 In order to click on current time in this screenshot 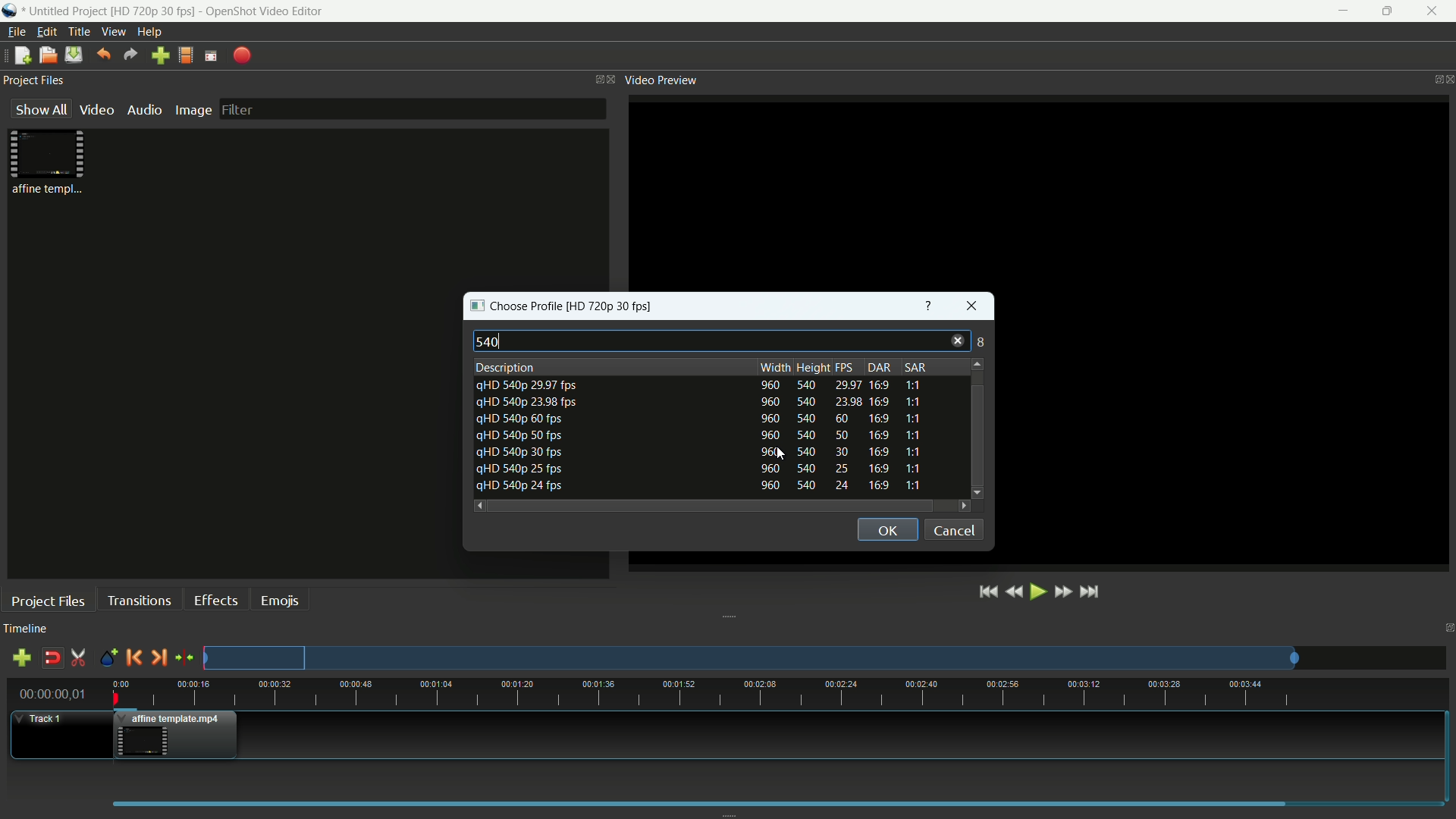, I will do `click(51, 694)`.